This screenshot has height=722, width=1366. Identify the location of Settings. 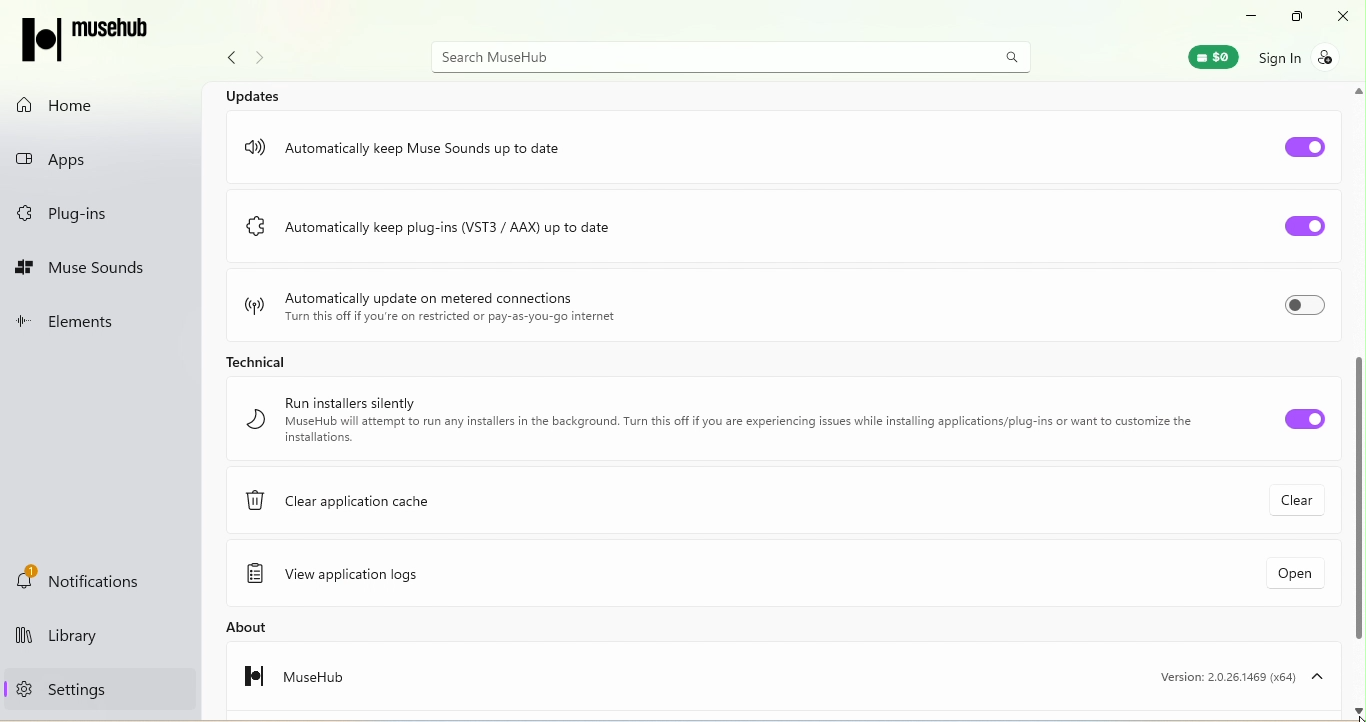
(56, 688).